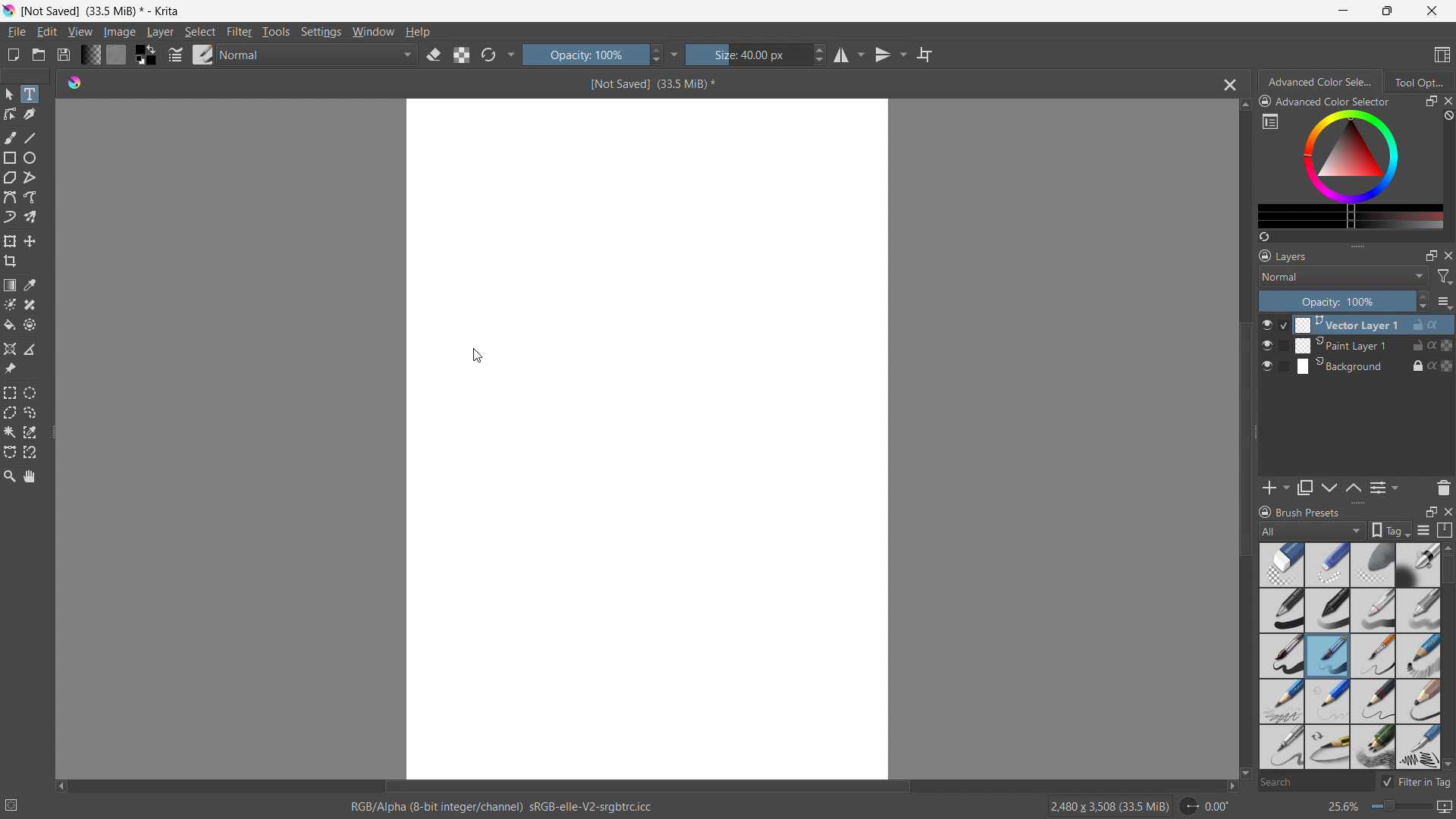 This screenshot has height=819, width=1456. Describe the element at coordinates (10, 218) in the screenshot. I see `dynamic brush tool` at that location.